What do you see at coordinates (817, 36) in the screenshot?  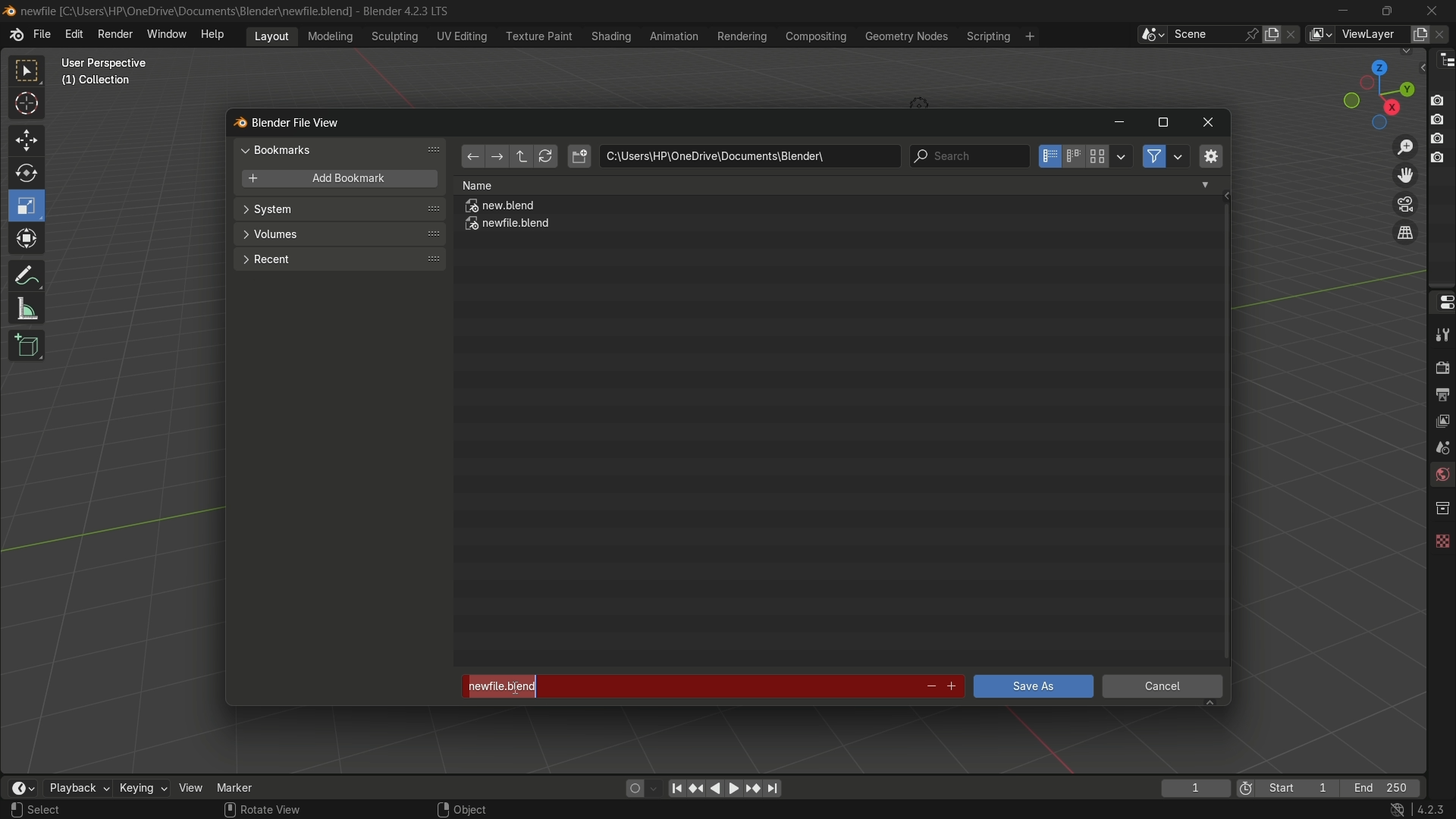 I see `compositing menu` at bounding box center [817, 36].